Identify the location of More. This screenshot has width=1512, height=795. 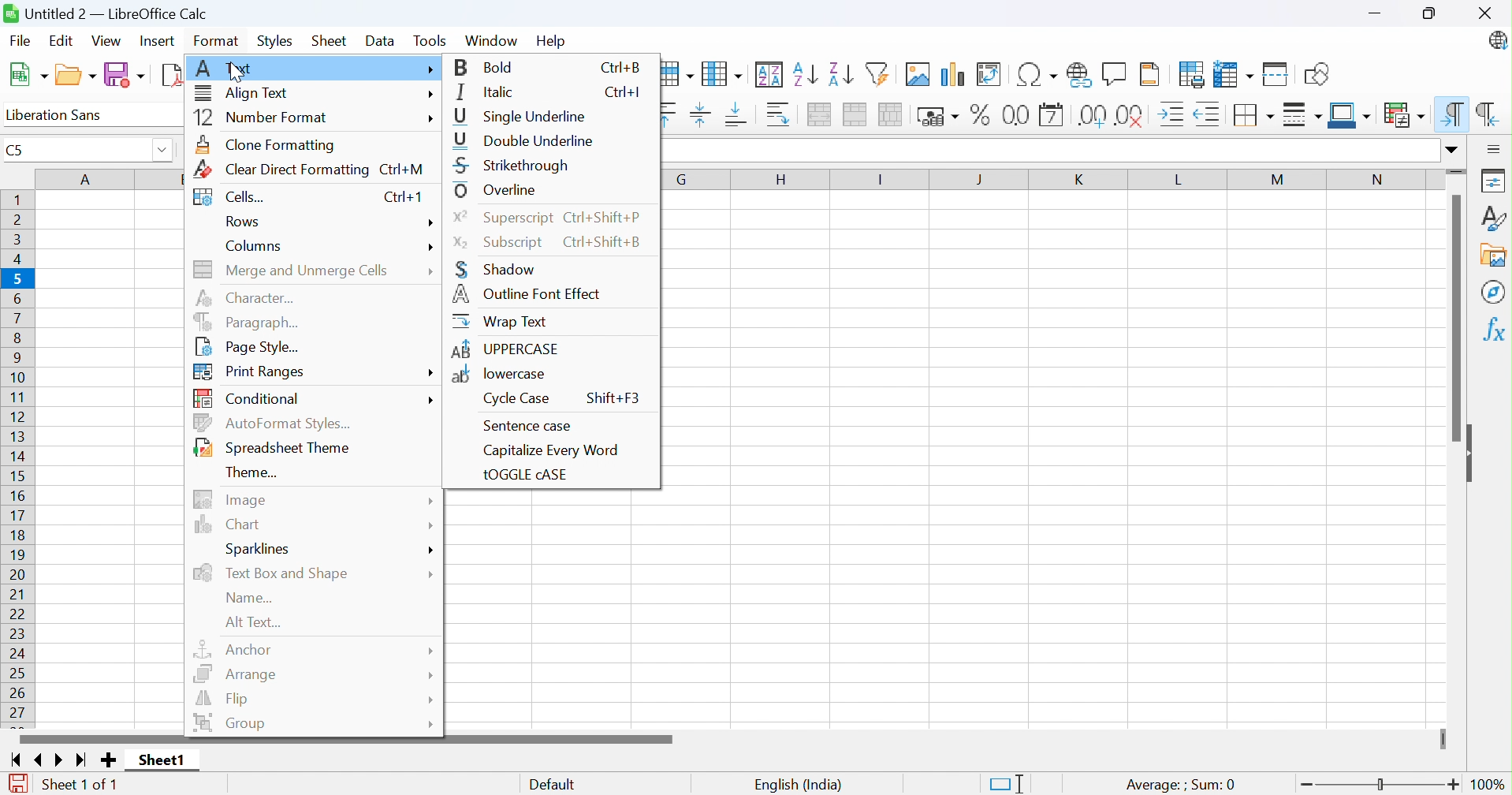
(429, 525).